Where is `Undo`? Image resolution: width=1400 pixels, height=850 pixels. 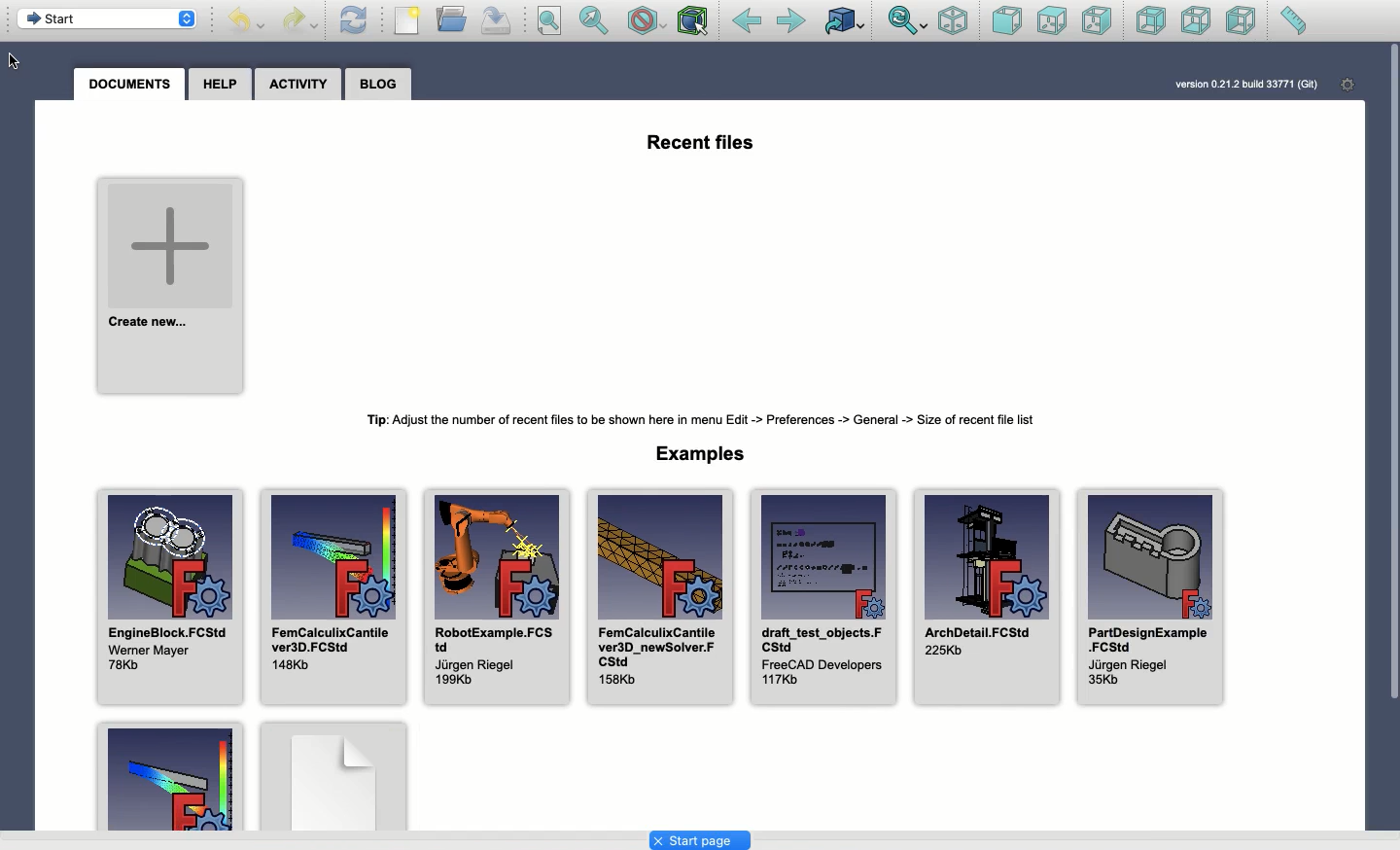
Undo is located at coordinates (247, 19).